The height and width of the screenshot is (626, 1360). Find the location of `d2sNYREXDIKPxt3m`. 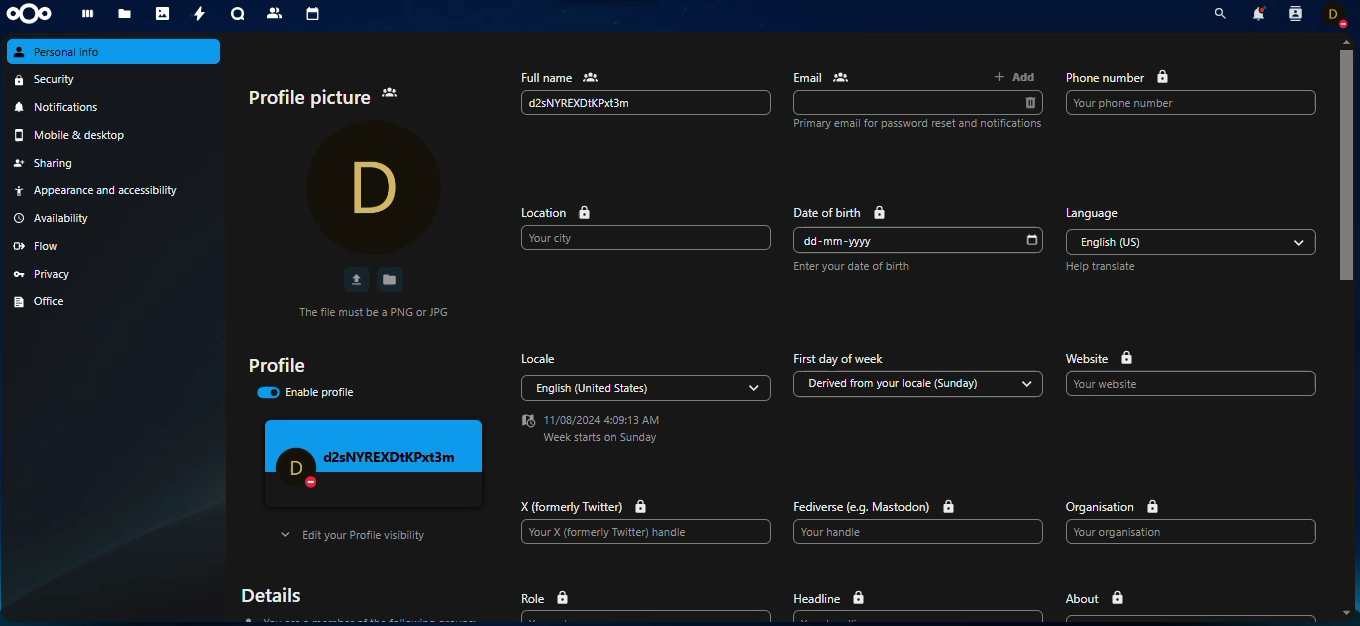

d2sNYREXDIKPxt3m is located at coordinates (646, 103).